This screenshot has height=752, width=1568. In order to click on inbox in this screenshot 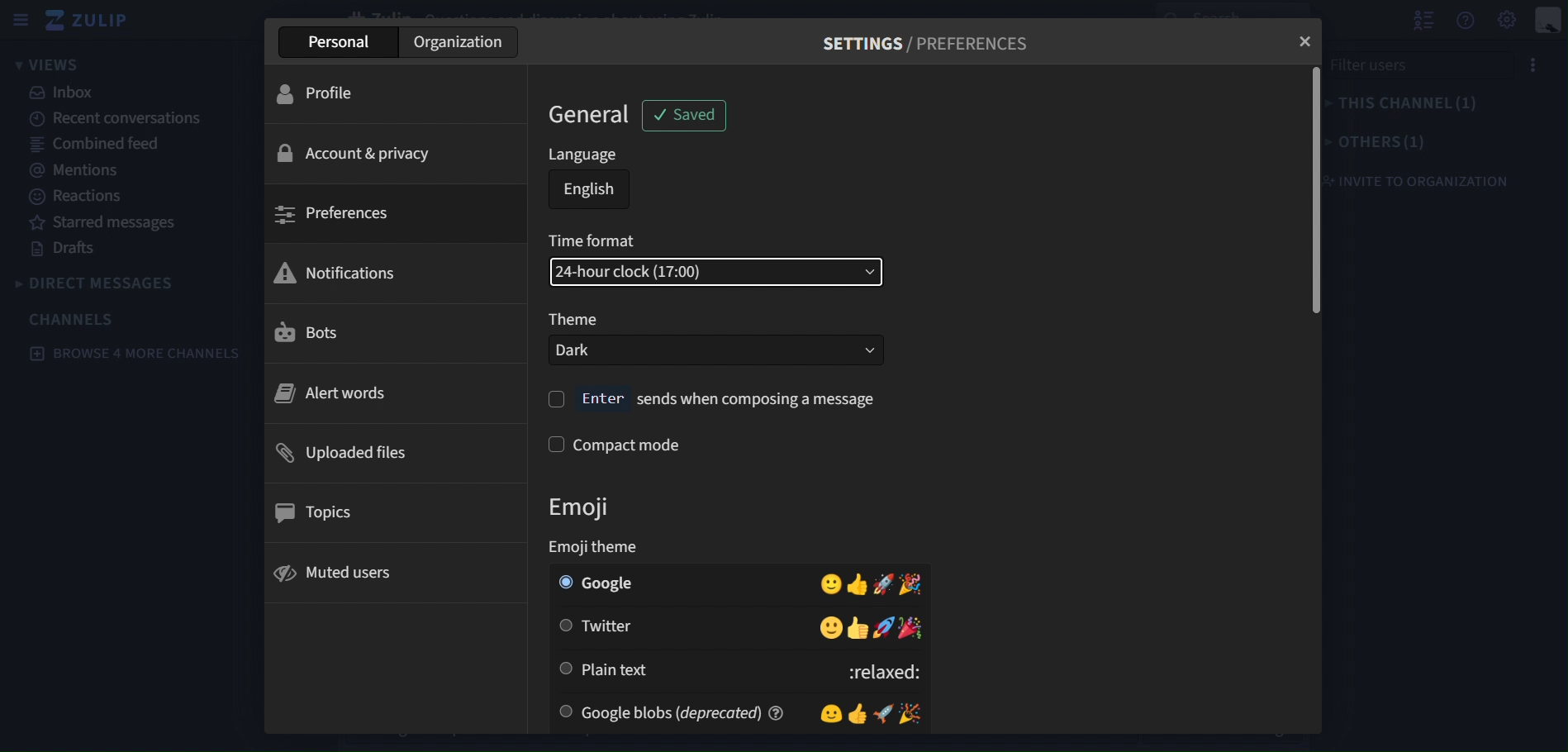, I will do `click(62, 93)`.